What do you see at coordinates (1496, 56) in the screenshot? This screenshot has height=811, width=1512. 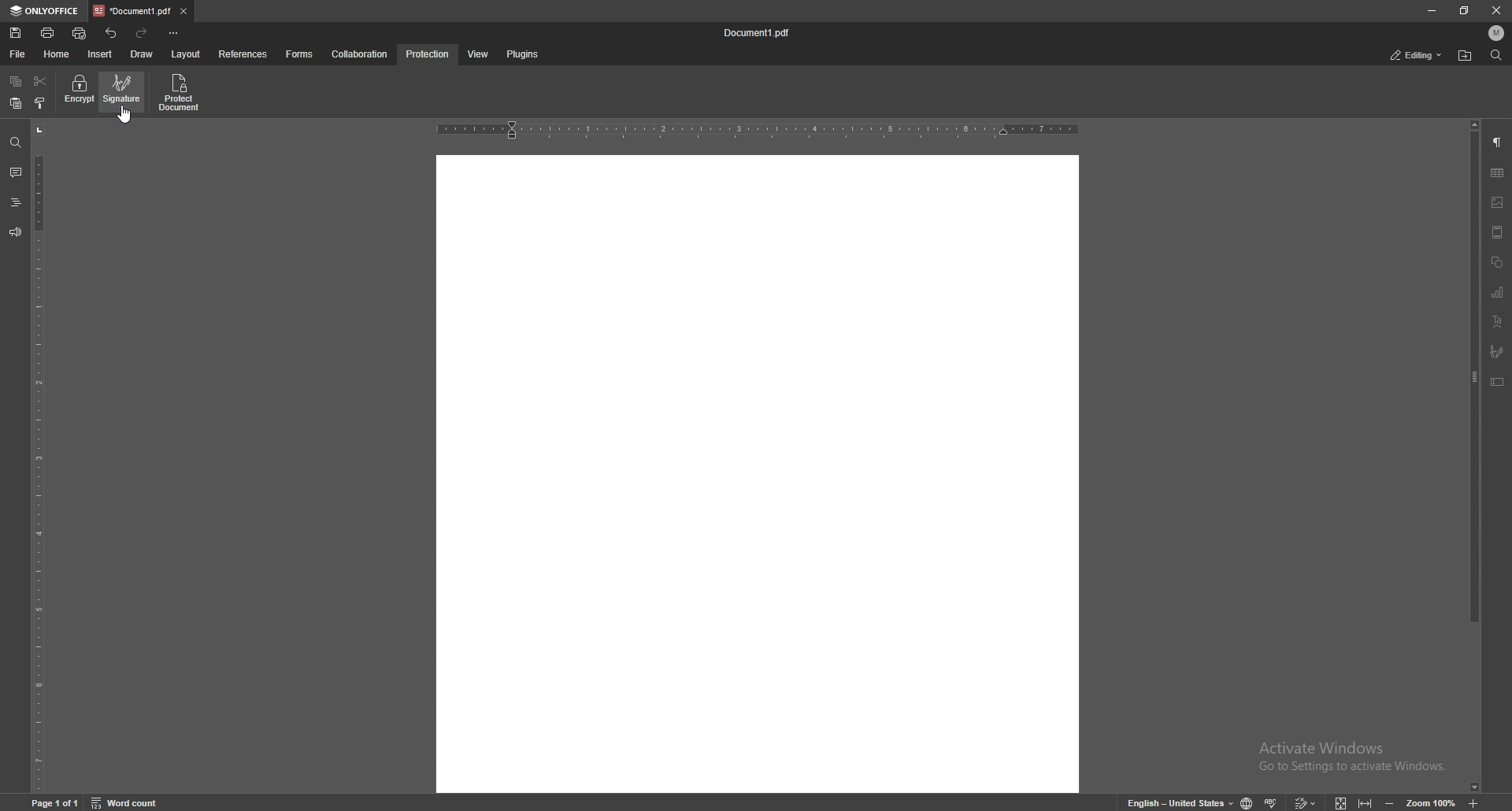 I see `find` at bounding box center [1496, 56].